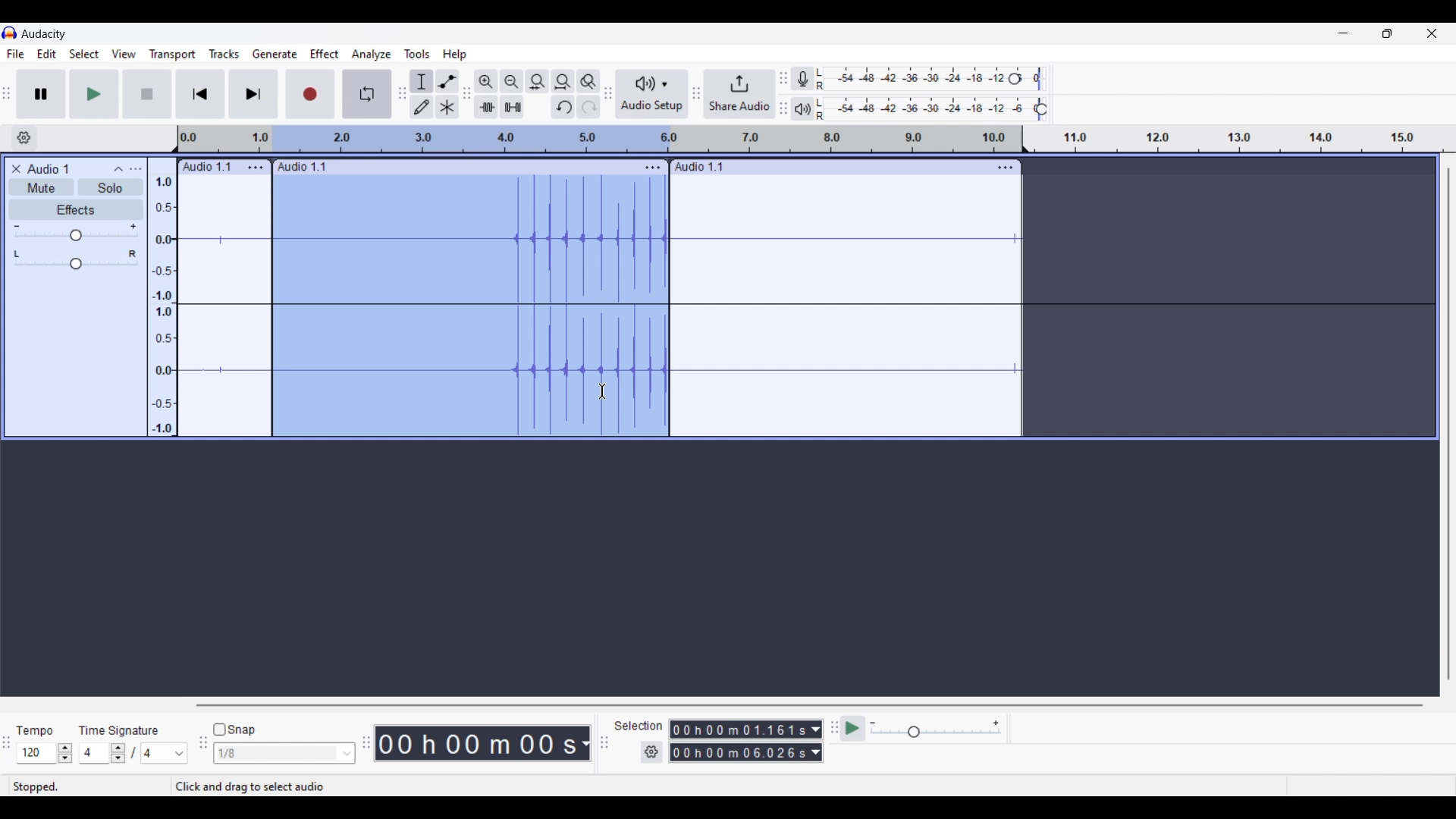 The image size is (1456, 819). I want to click on Analyze menu, so click(372, 55).